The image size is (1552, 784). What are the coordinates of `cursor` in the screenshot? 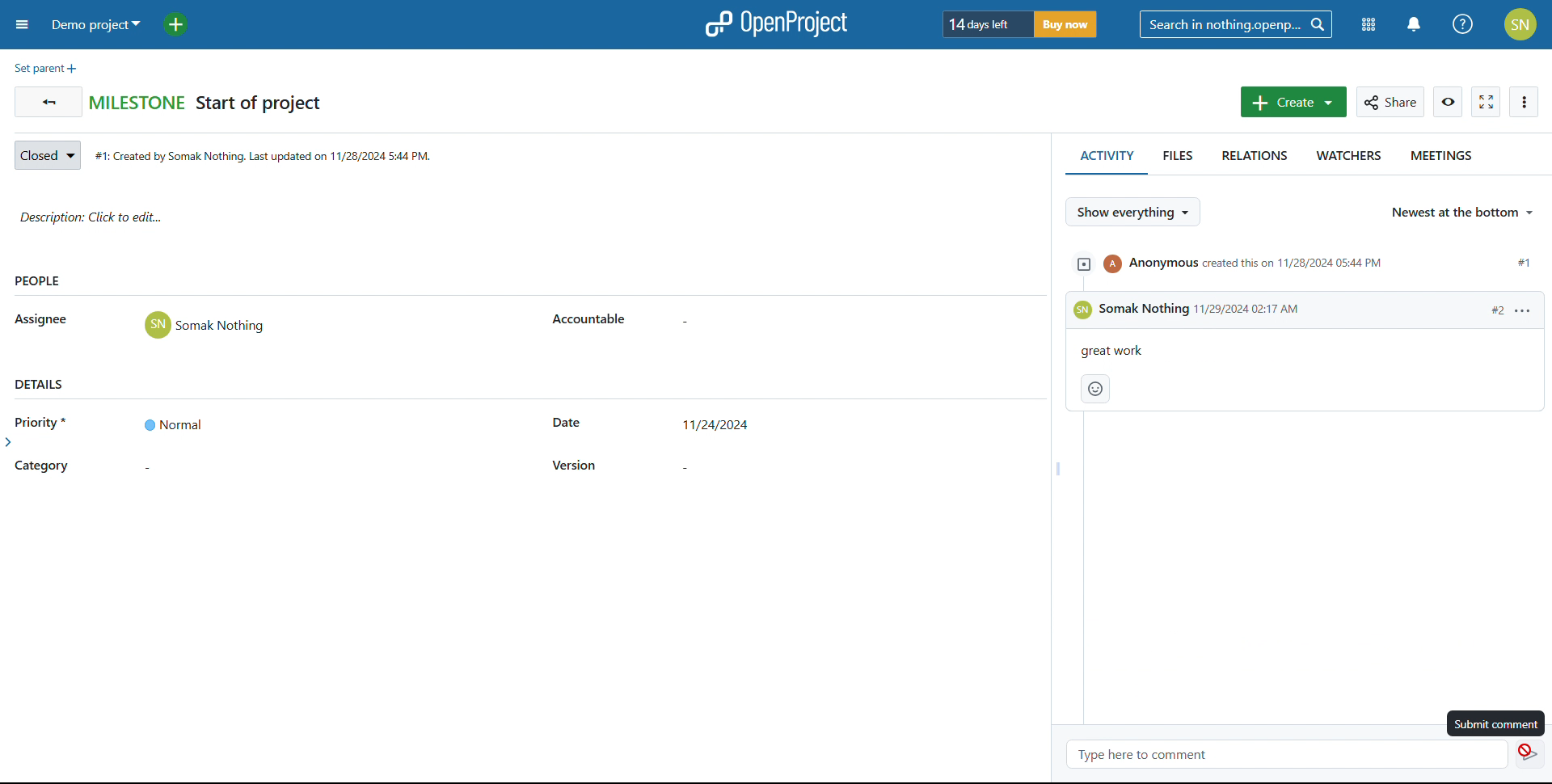 It's located at (1527, 750).